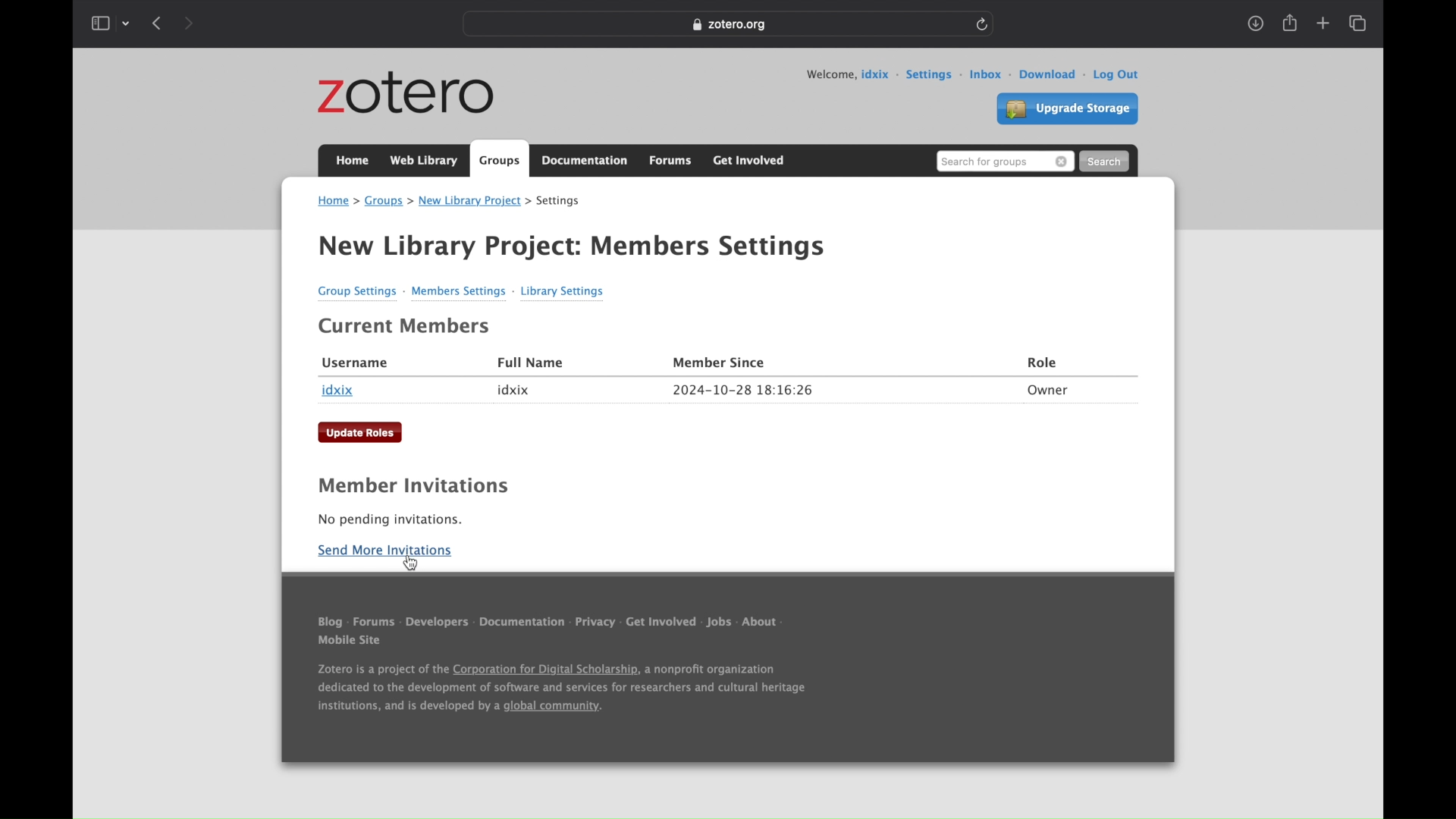  What do you see at coordinates (1052, 74) in the screenshot?
I see `download` at bounding box center [1052, 74].